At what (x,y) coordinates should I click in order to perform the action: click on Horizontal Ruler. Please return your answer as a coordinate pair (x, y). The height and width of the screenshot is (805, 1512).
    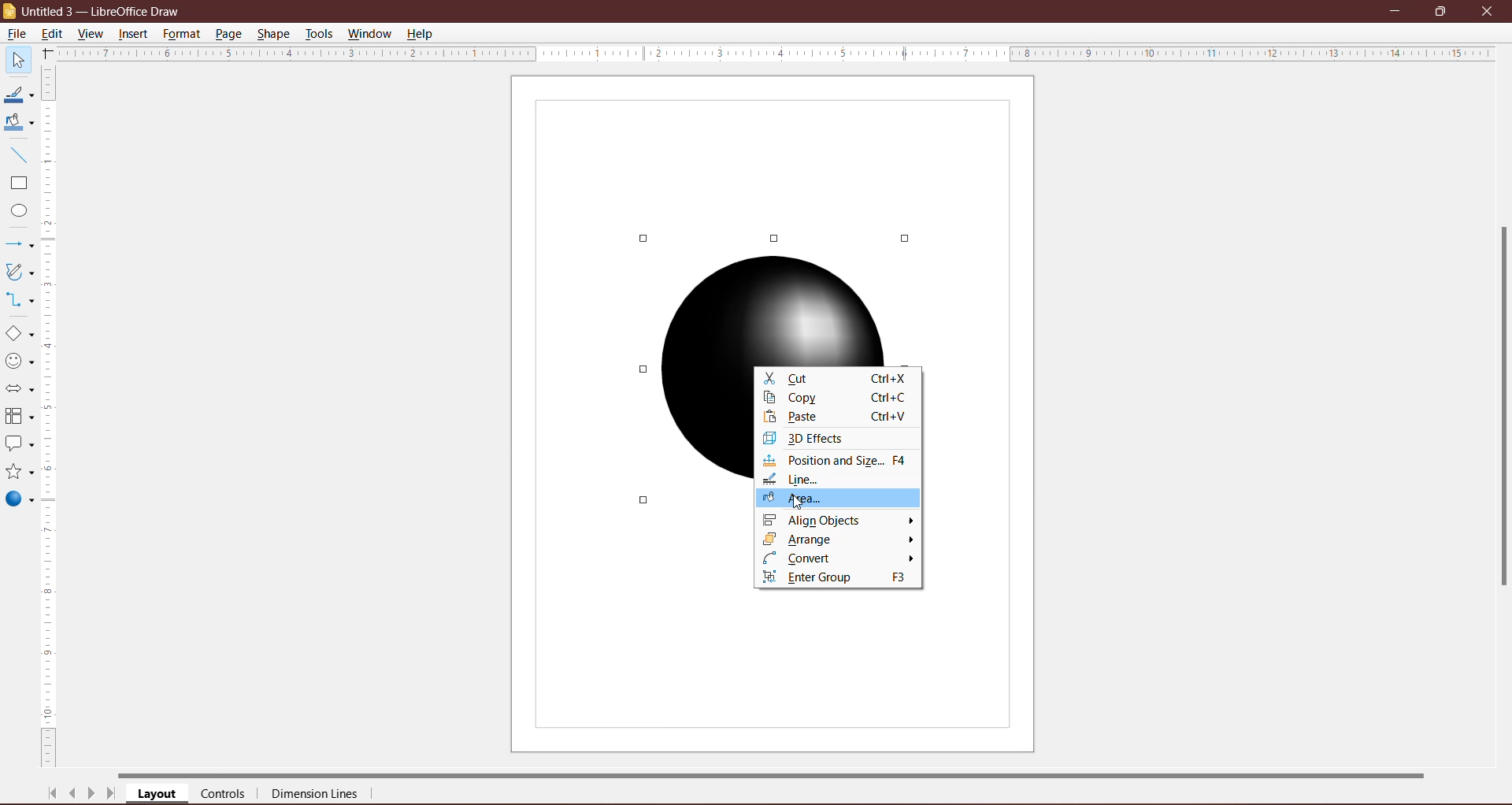
    Looking at the image, I should click on (776, 53).